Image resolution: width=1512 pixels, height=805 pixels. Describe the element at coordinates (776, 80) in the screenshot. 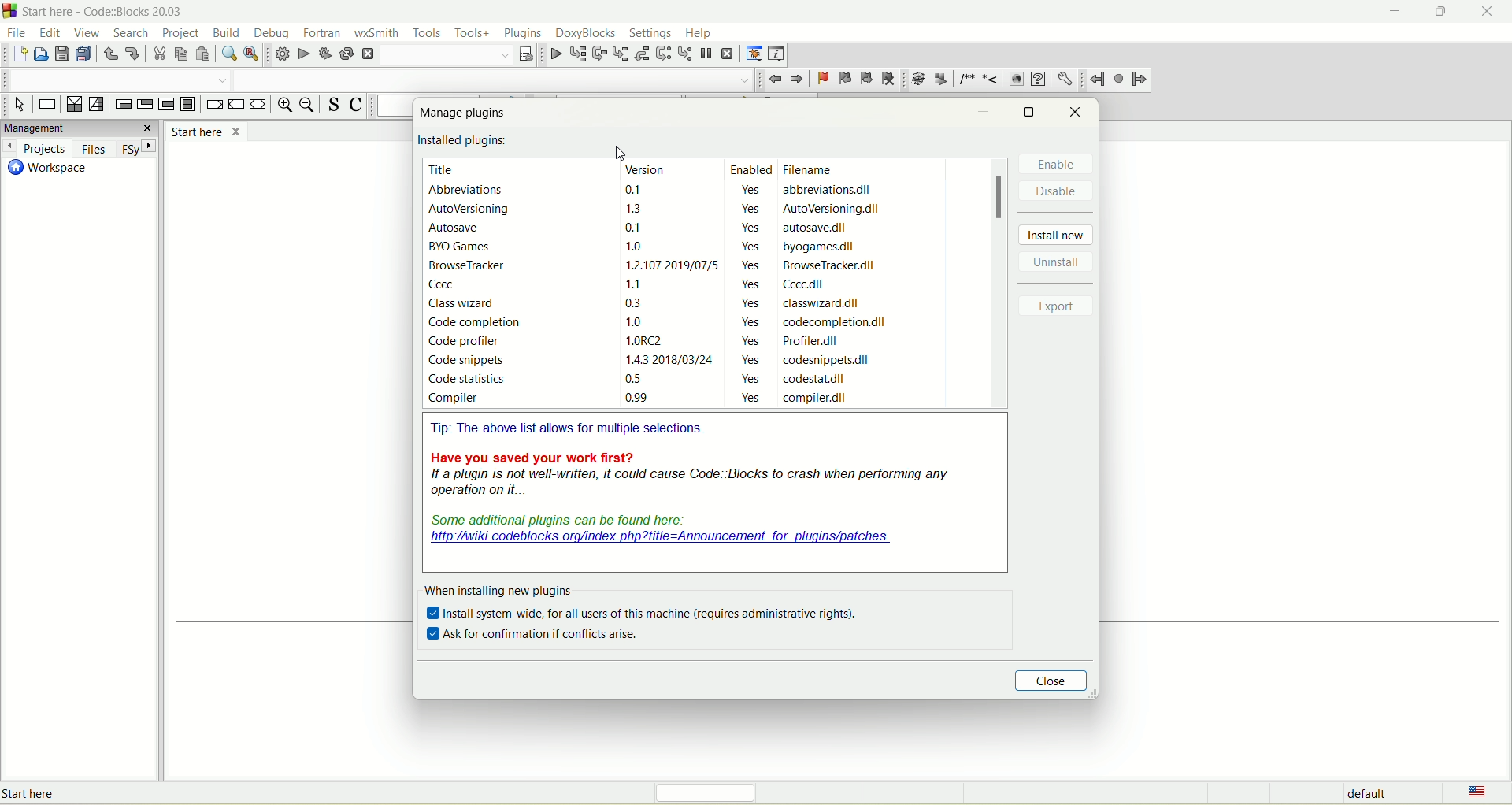

I see `previous` at that location.